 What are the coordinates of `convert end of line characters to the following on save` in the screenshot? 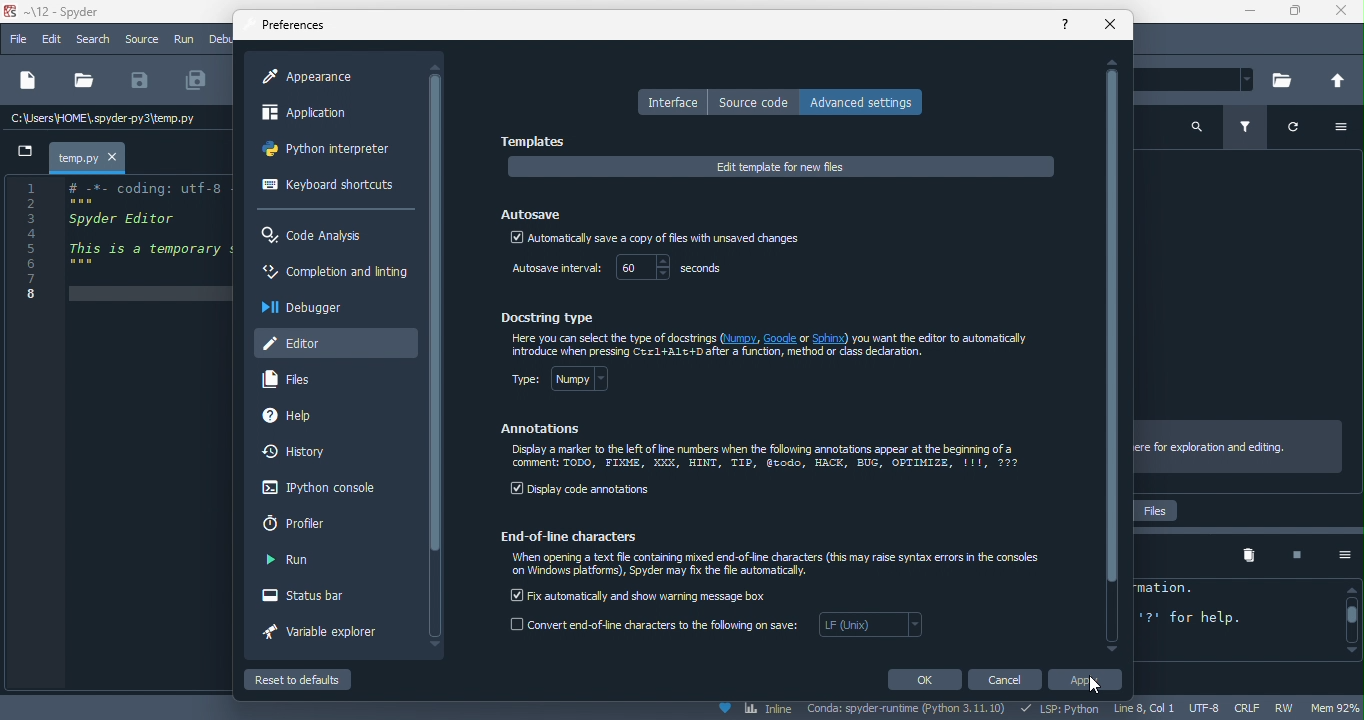 It's located at (719, 629).